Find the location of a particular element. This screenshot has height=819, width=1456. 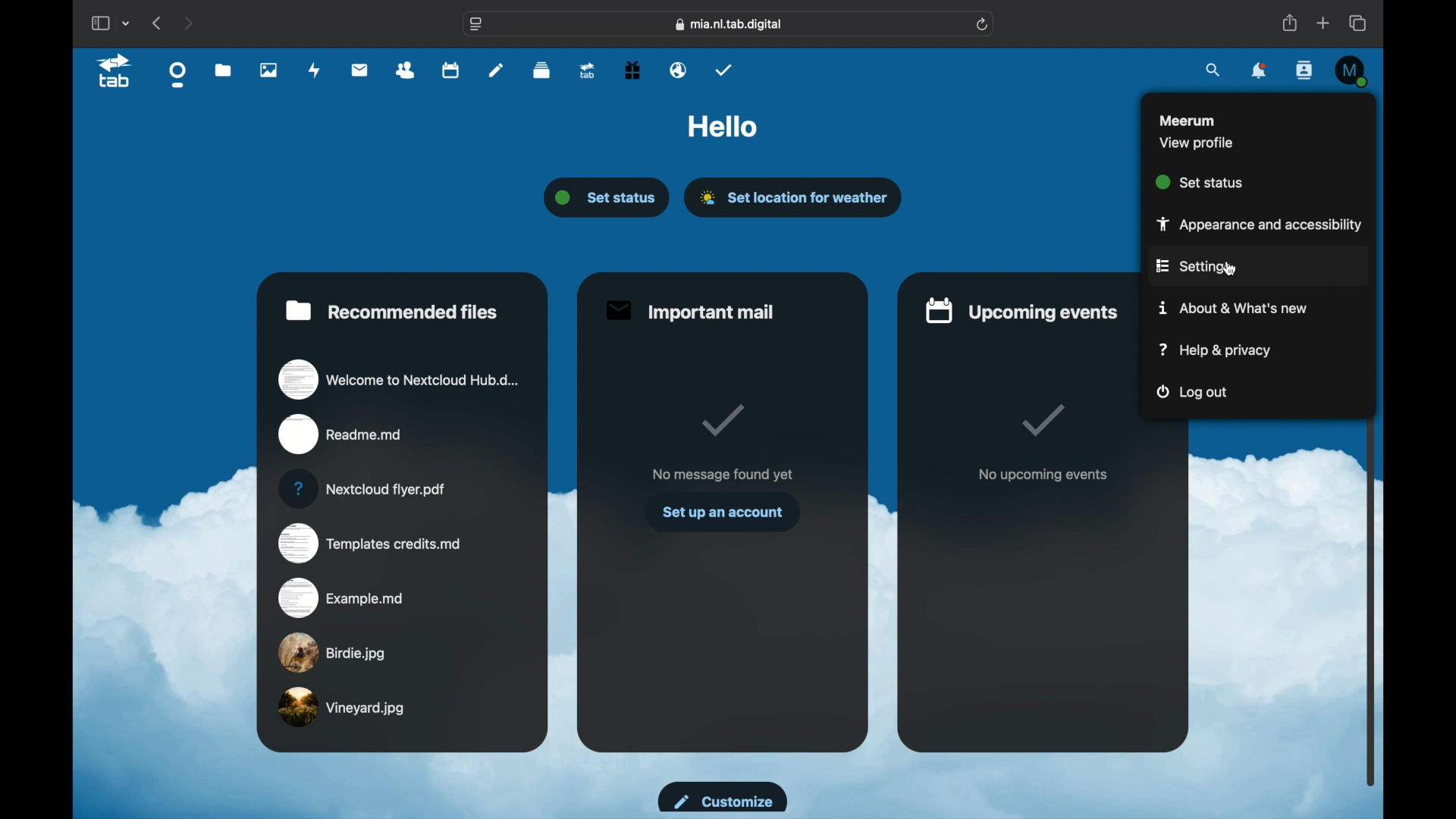

notifications is located at coordinates (1260, 72).